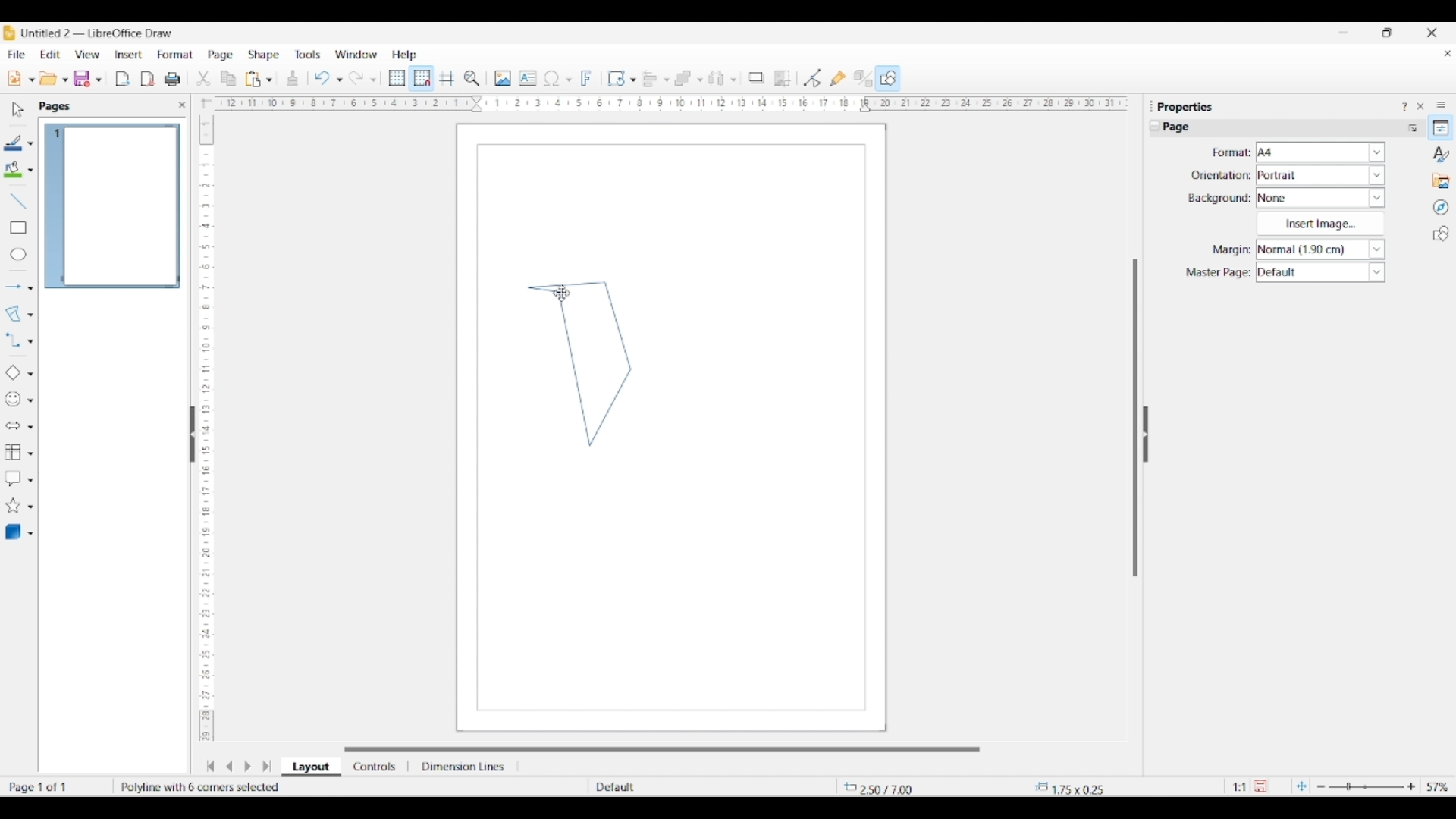 Image resolution: width=1456 pixels, height=819 pixels. I want to click on Rectangle, so click(18, 227).